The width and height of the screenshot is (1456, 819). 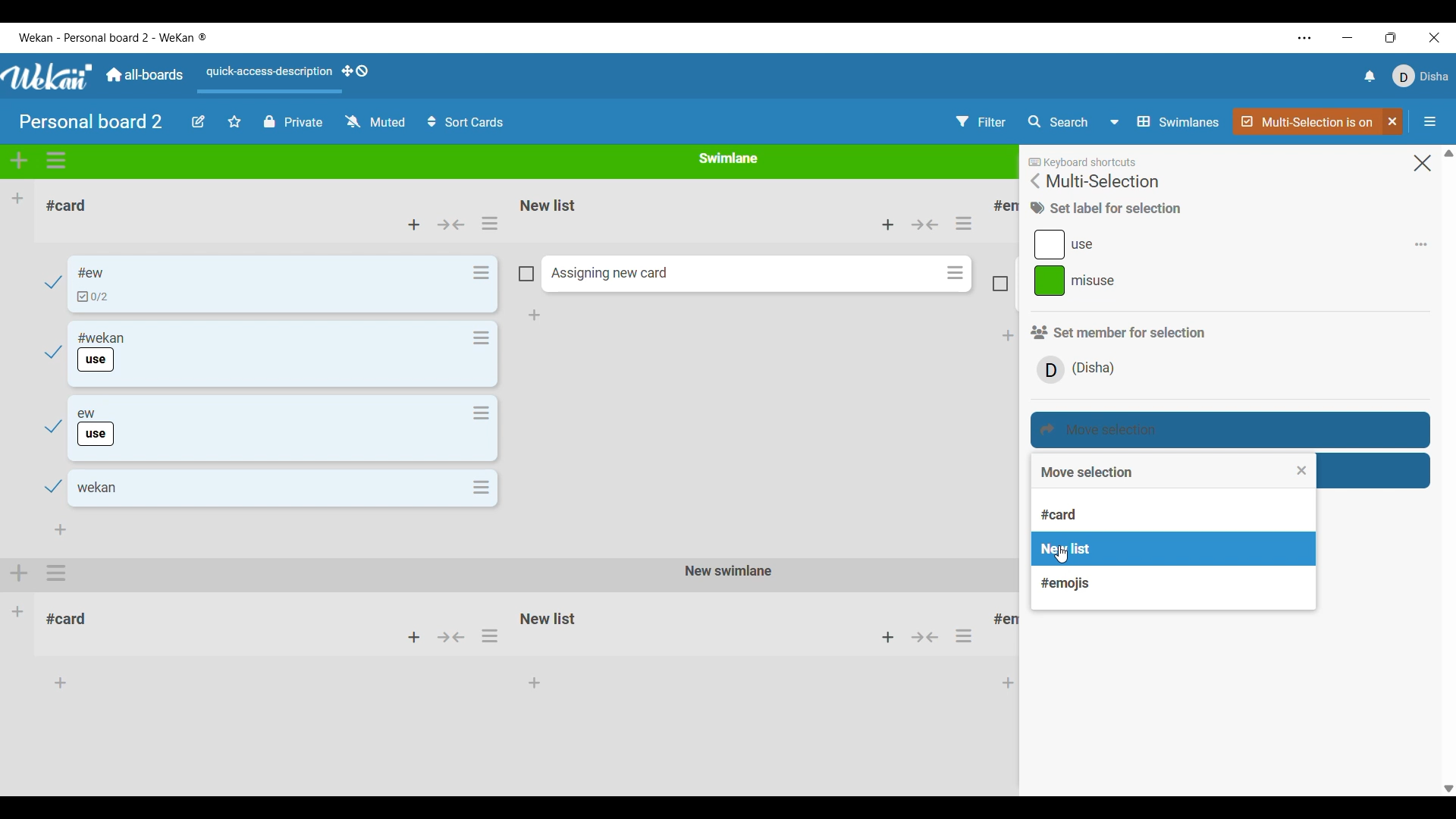 I want to click on Star board, so click(x=235, y=121).